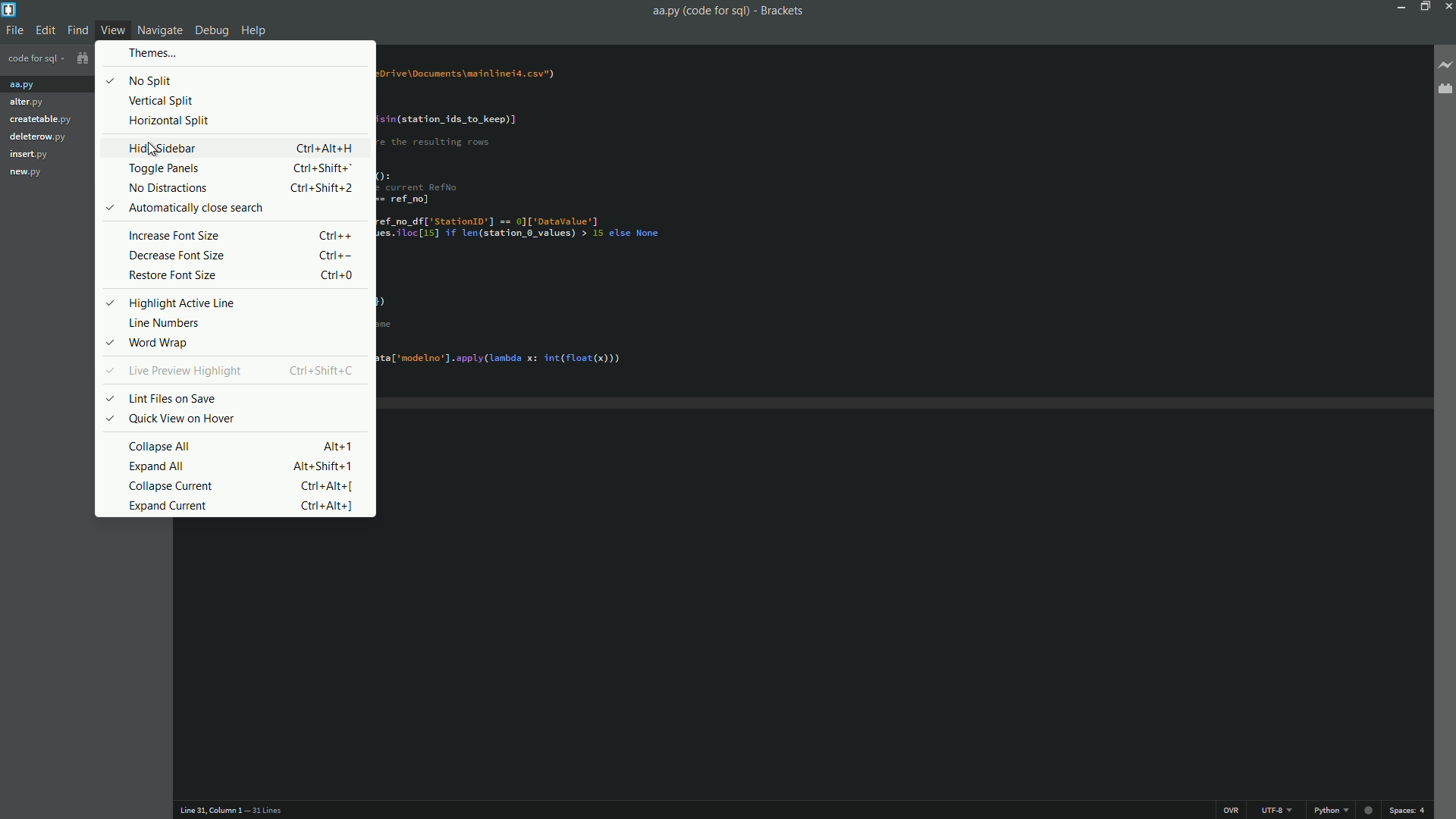 This screenshot has height=819, width=1456. I want to click on help menu, so click(254, 30).